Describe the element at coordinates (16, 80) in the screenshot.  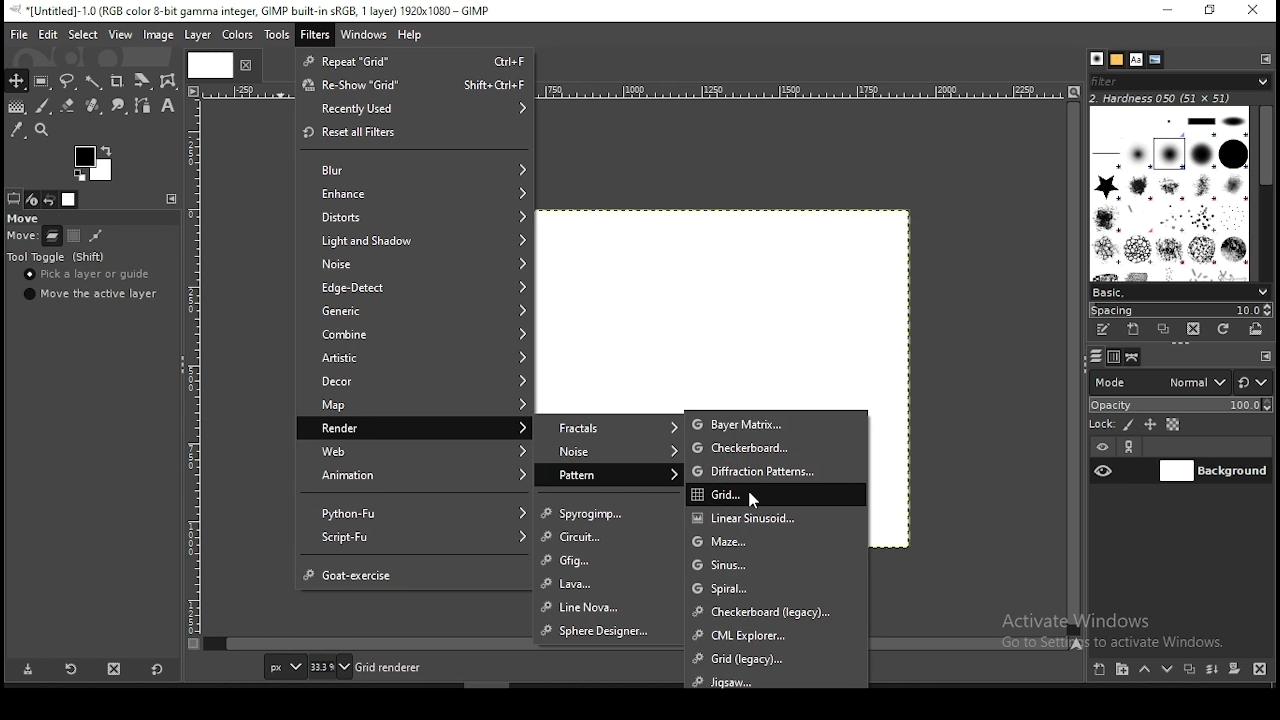
I see `move tool` at that location.